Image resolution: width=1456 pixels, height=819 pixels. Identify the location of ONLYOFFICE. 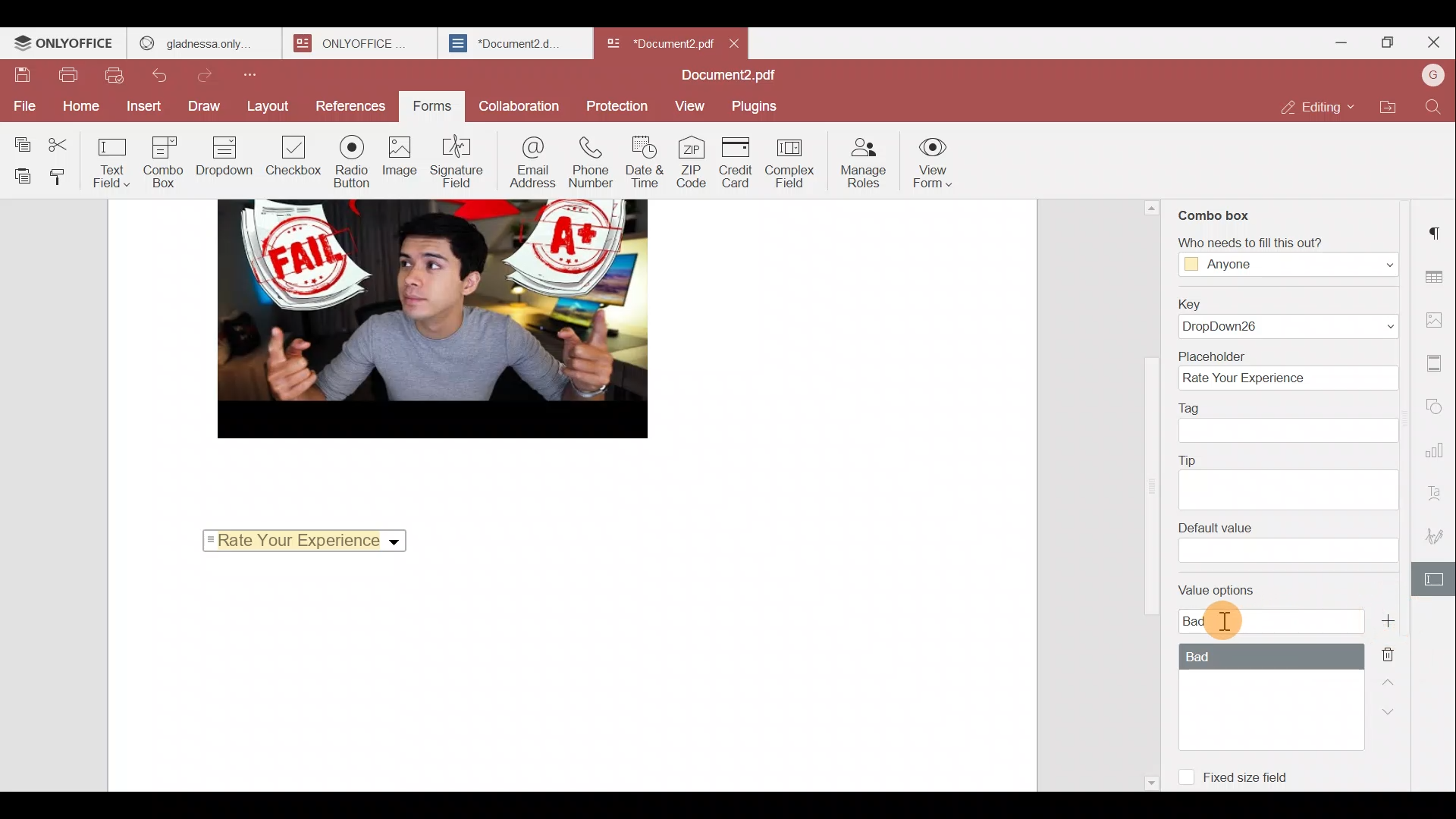
(64, 45).